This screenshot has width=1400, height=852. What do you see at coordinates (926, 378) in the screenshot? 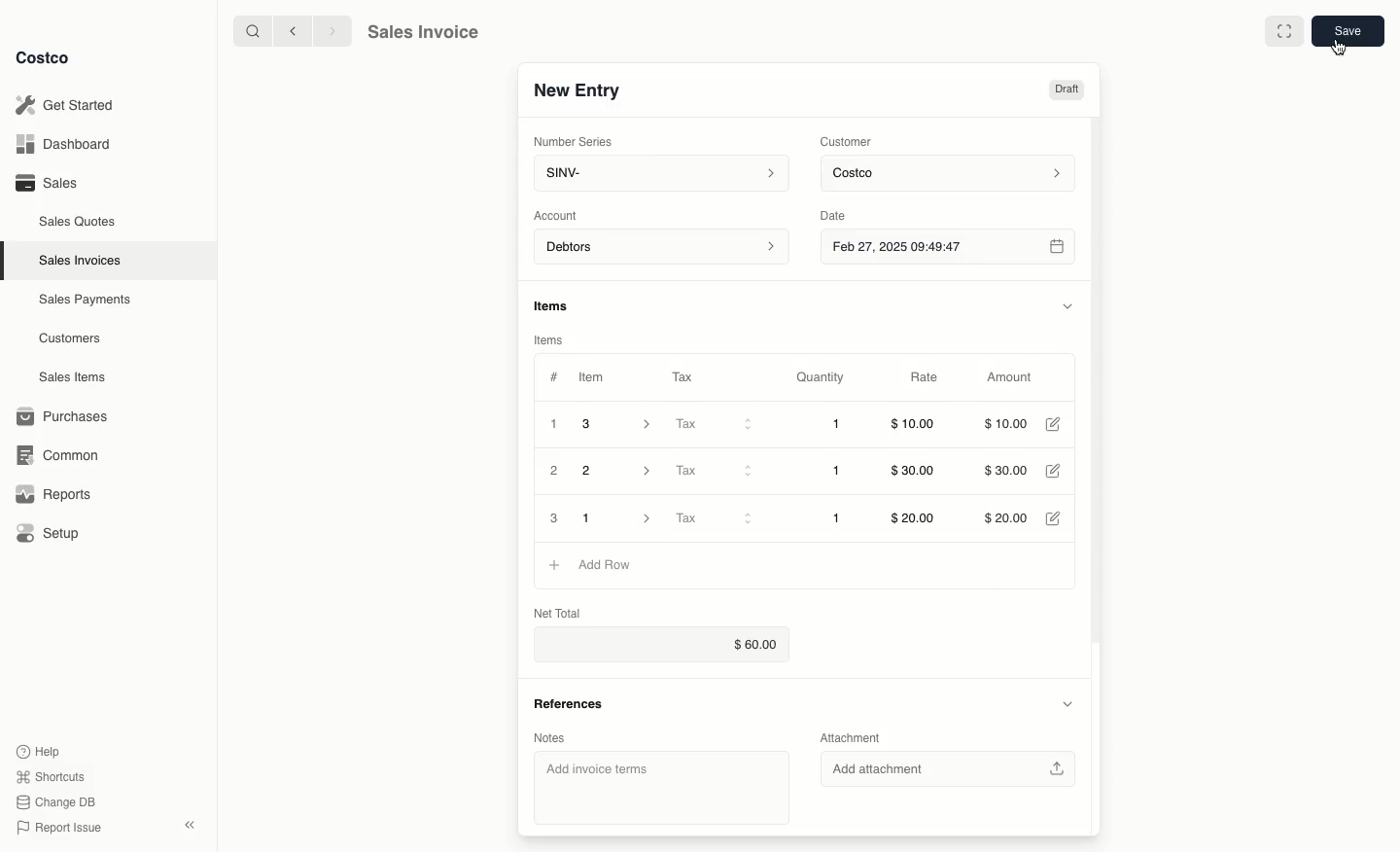
I see `Rate` at bounding box center [926, 378].